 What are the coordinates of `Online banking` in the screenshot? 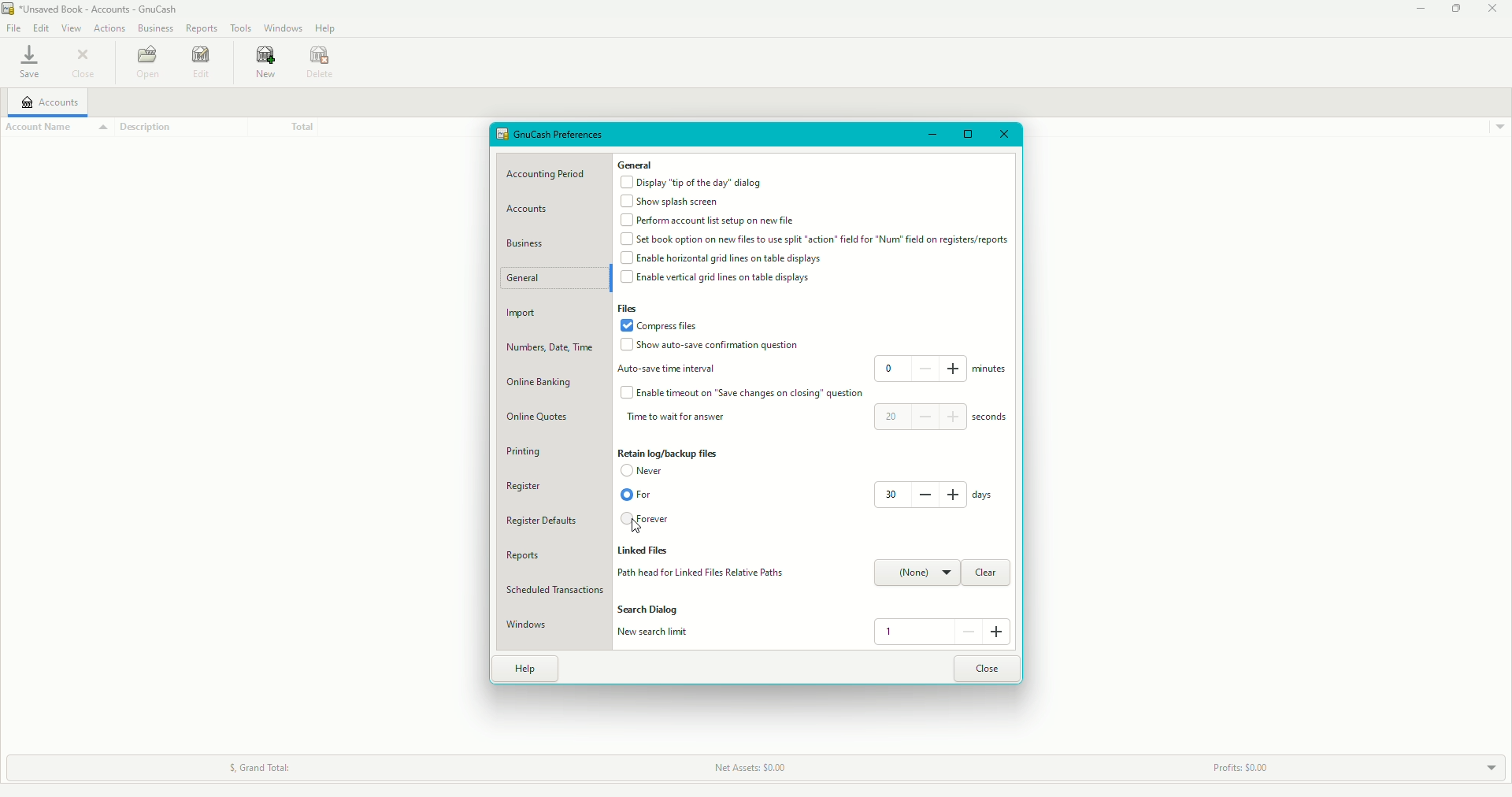 It's located at (541, 383).